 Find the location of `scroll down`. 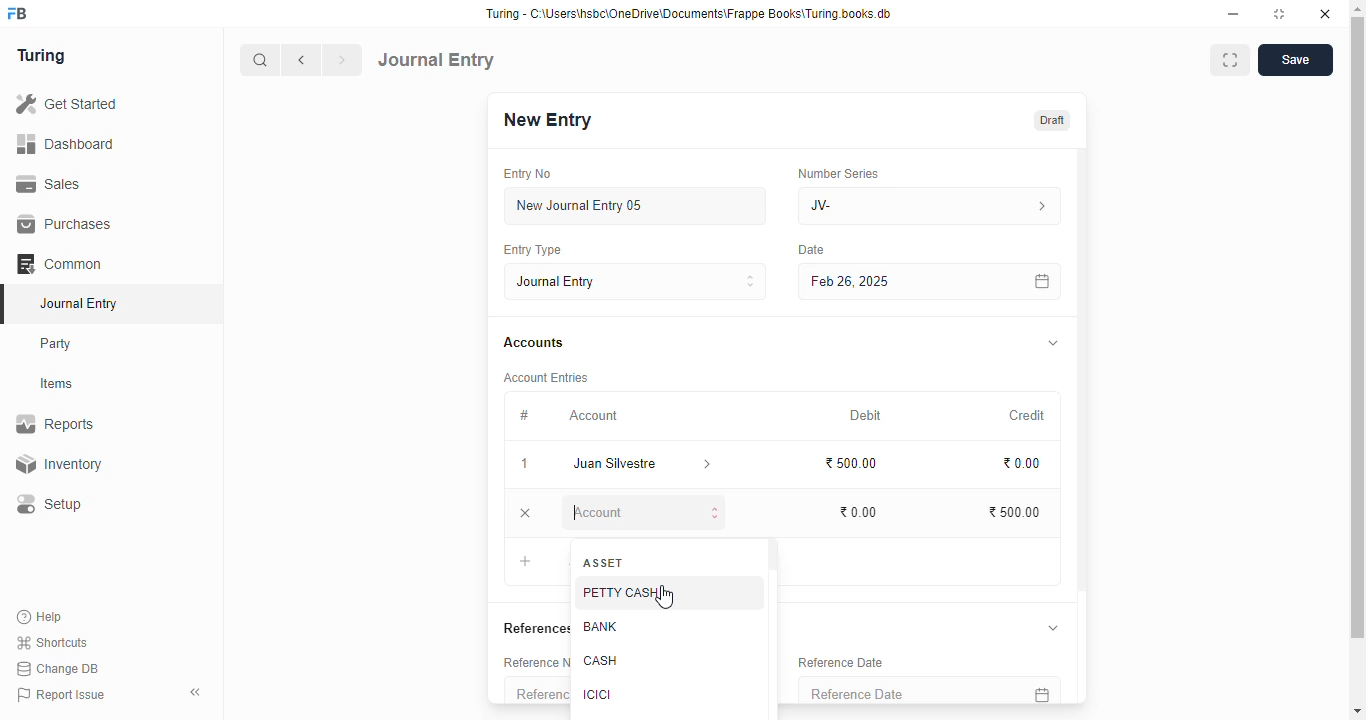

scroll down is located at coordinates (1357, 712).